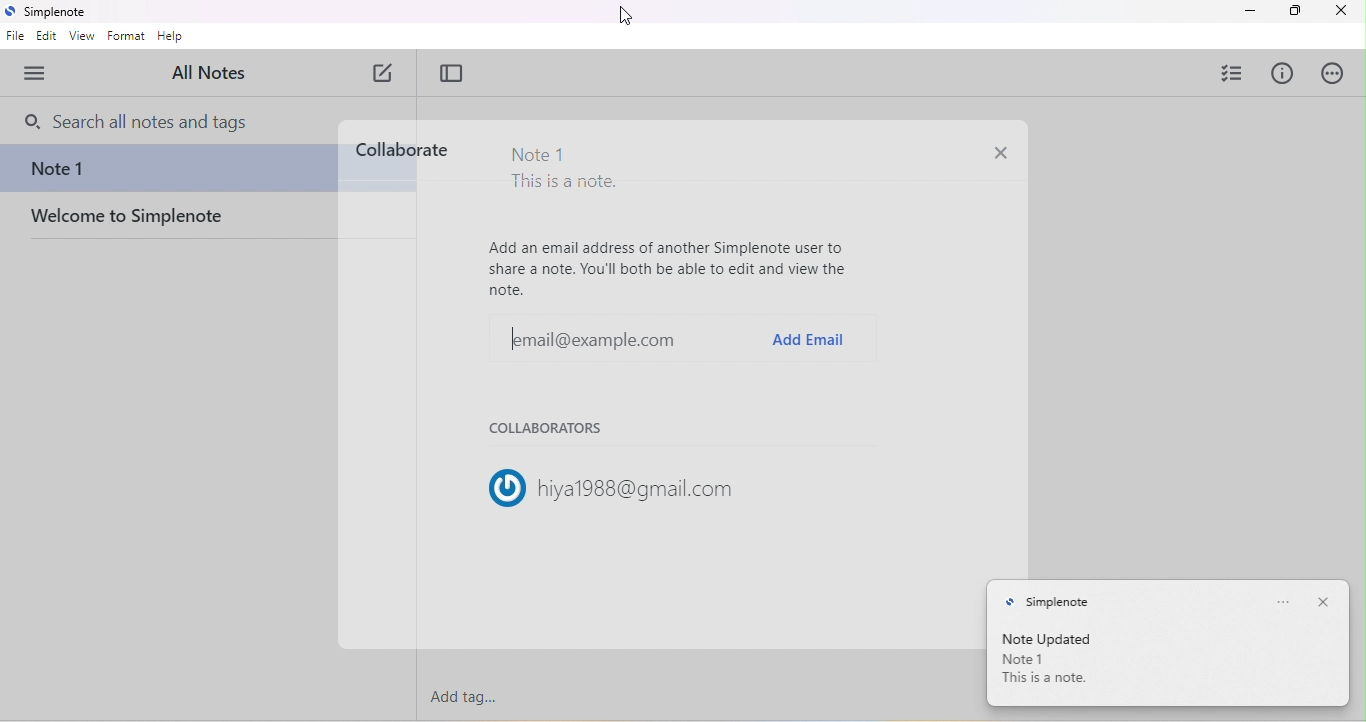 Image resolution: width=1366 pixels, height=722 pixels. What do you see at coordinates (999, 155) in the screenshot?
I see `close` at bounding box center [999, 155].